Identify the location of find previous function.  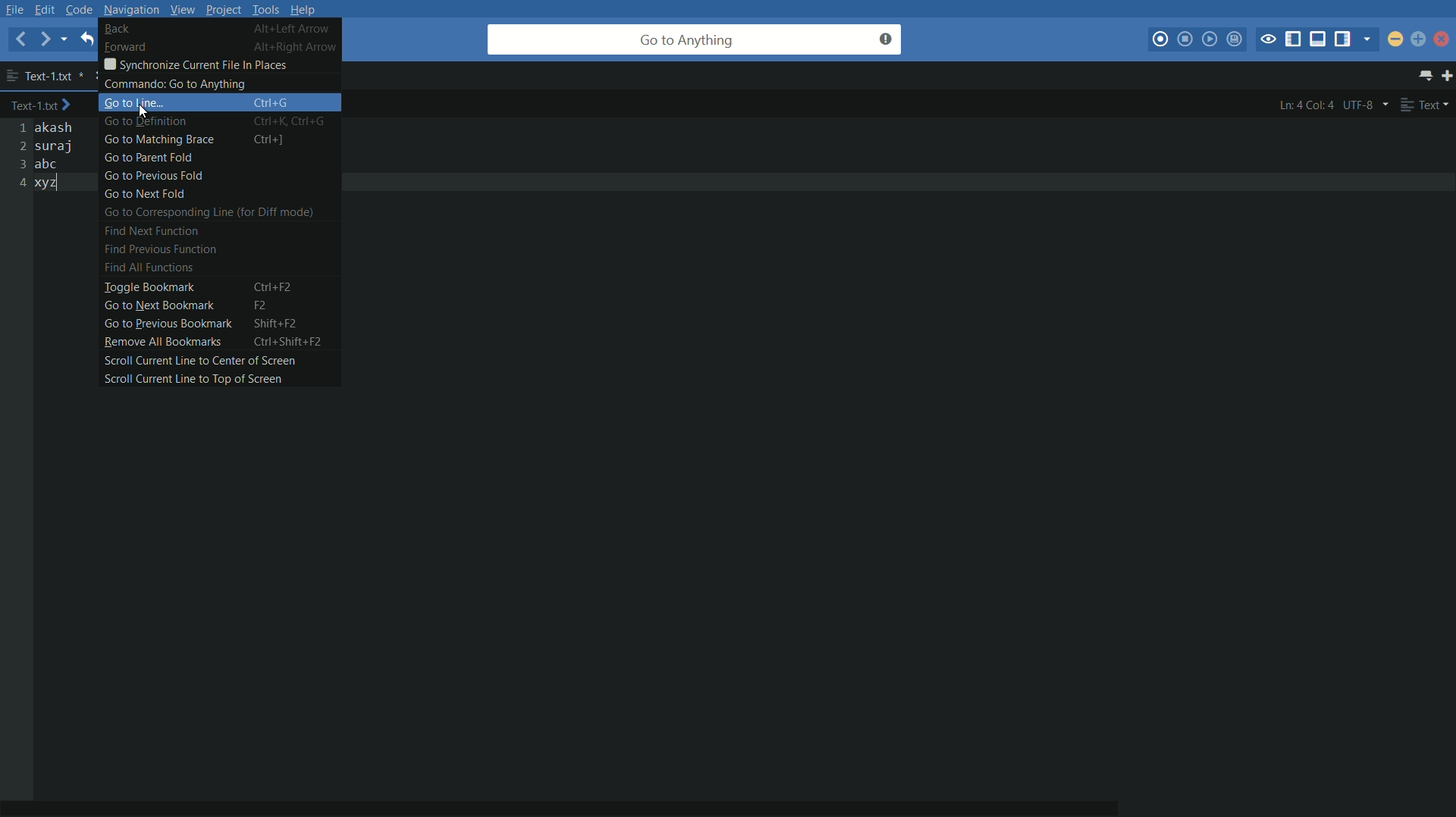
(156, 249).